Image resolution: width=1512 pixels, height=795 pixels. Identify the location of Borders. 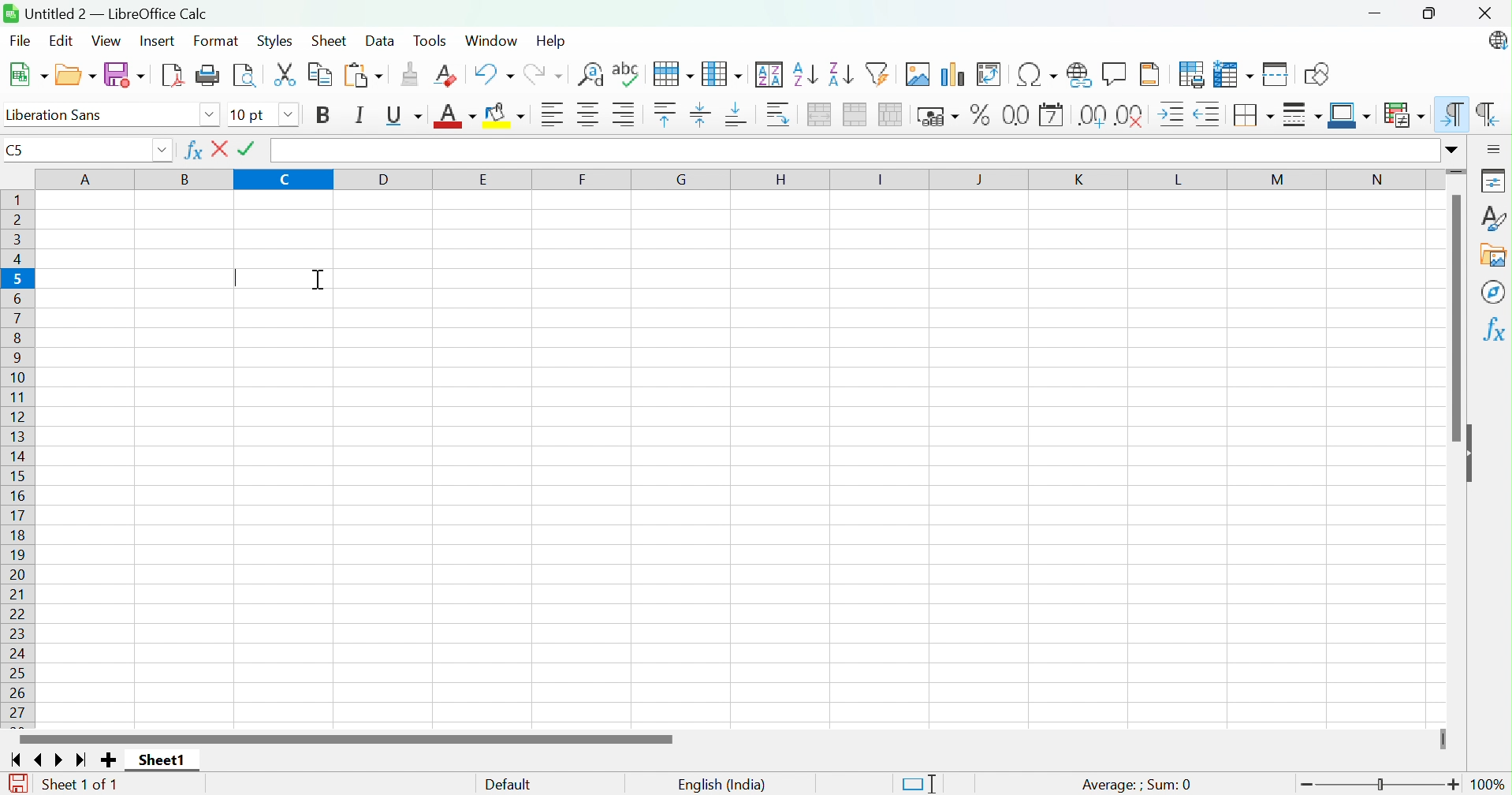
(1257, 114).